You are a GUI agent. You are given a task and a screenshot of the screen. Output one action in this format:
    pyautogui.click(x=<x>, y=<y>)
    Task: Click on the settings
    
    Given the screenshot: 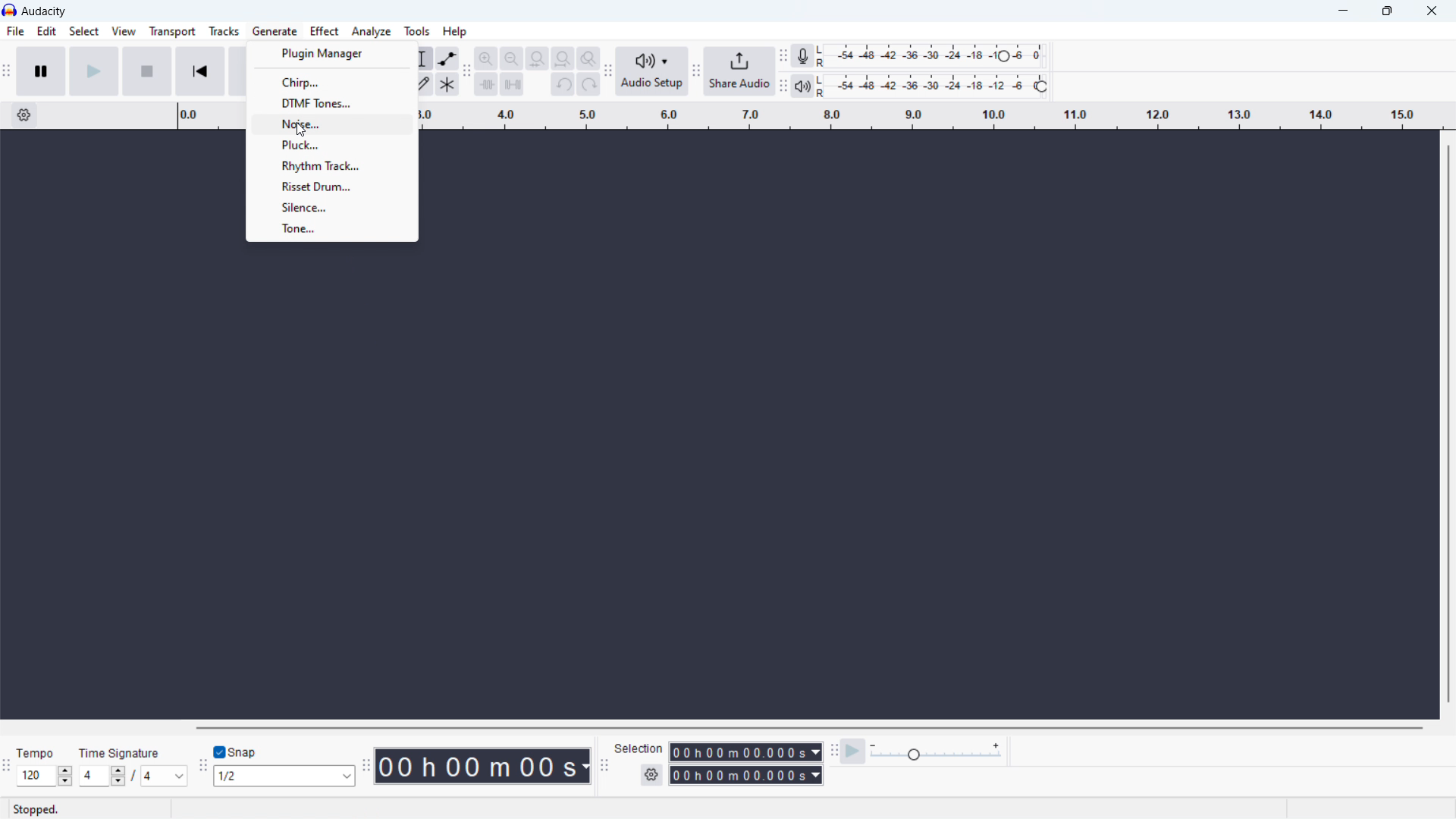 What is the action you would take?
    pyautogui.click(x=651, y=776)
    